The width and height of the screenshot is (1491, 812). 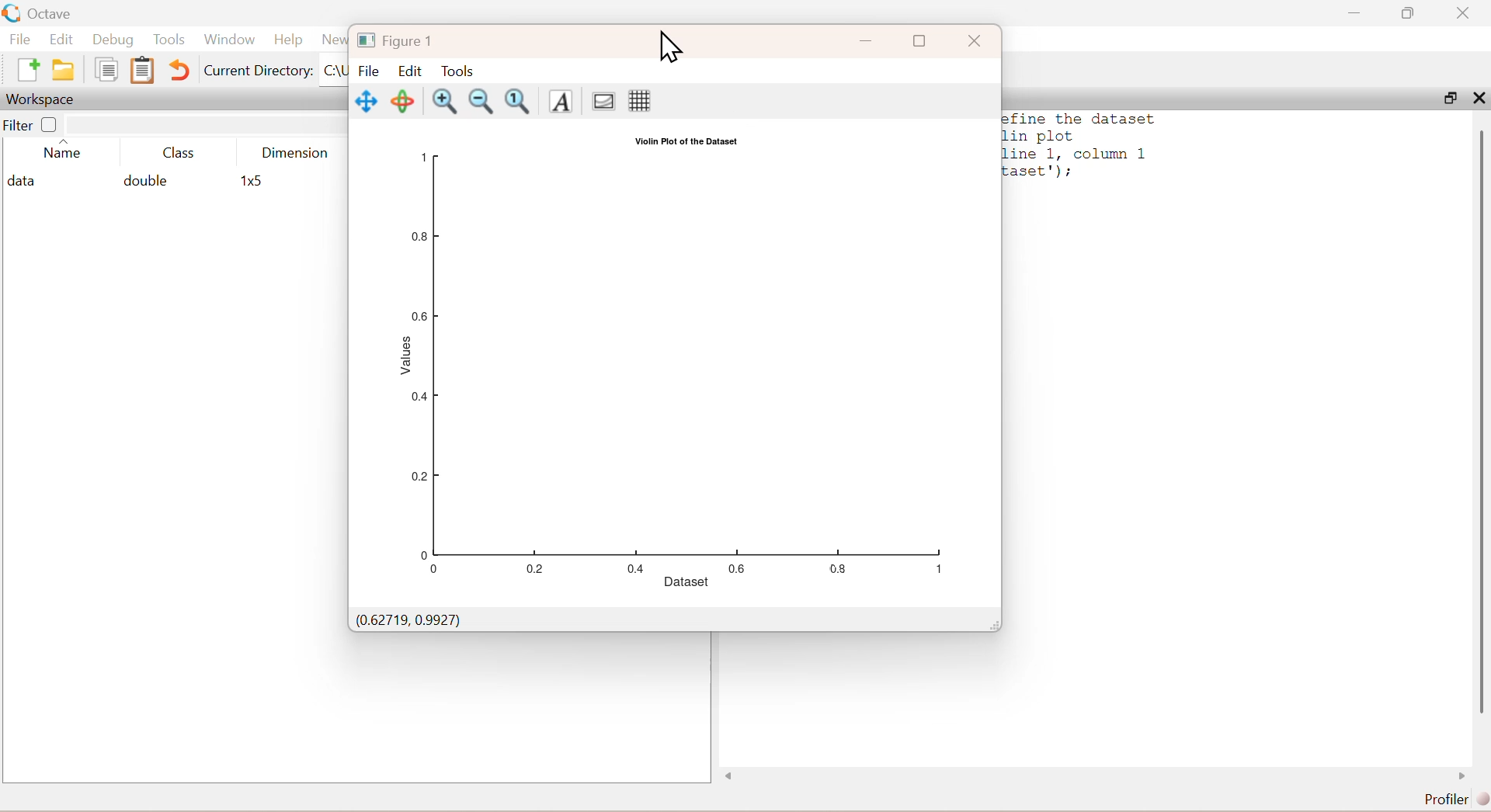 What do you see at coordinates (64, 70) in the screenshot?
I see `folder` at bounding box center [64, 70].